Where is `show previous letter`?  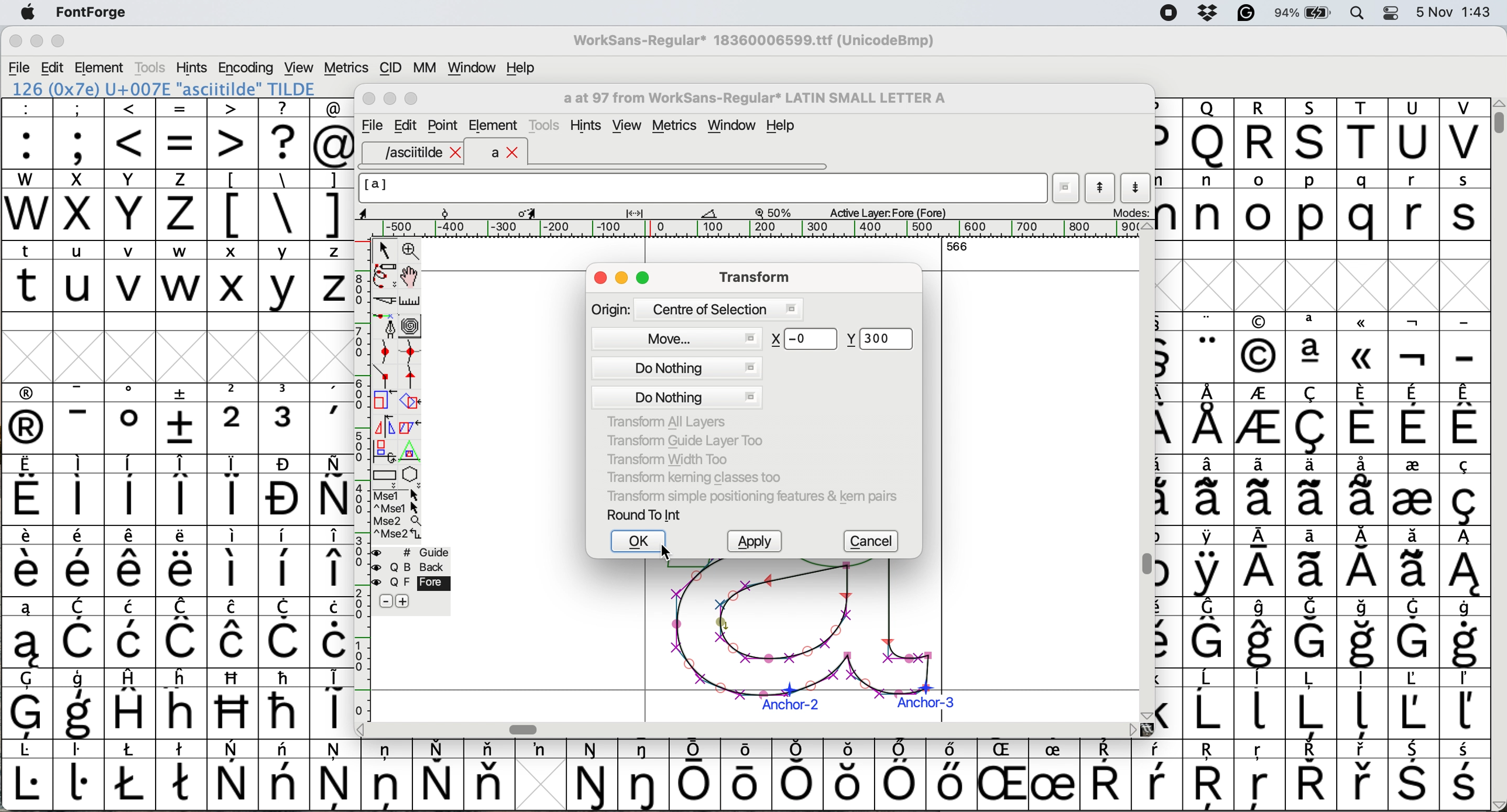 show previous letter is located at coordinates (1100, 188).